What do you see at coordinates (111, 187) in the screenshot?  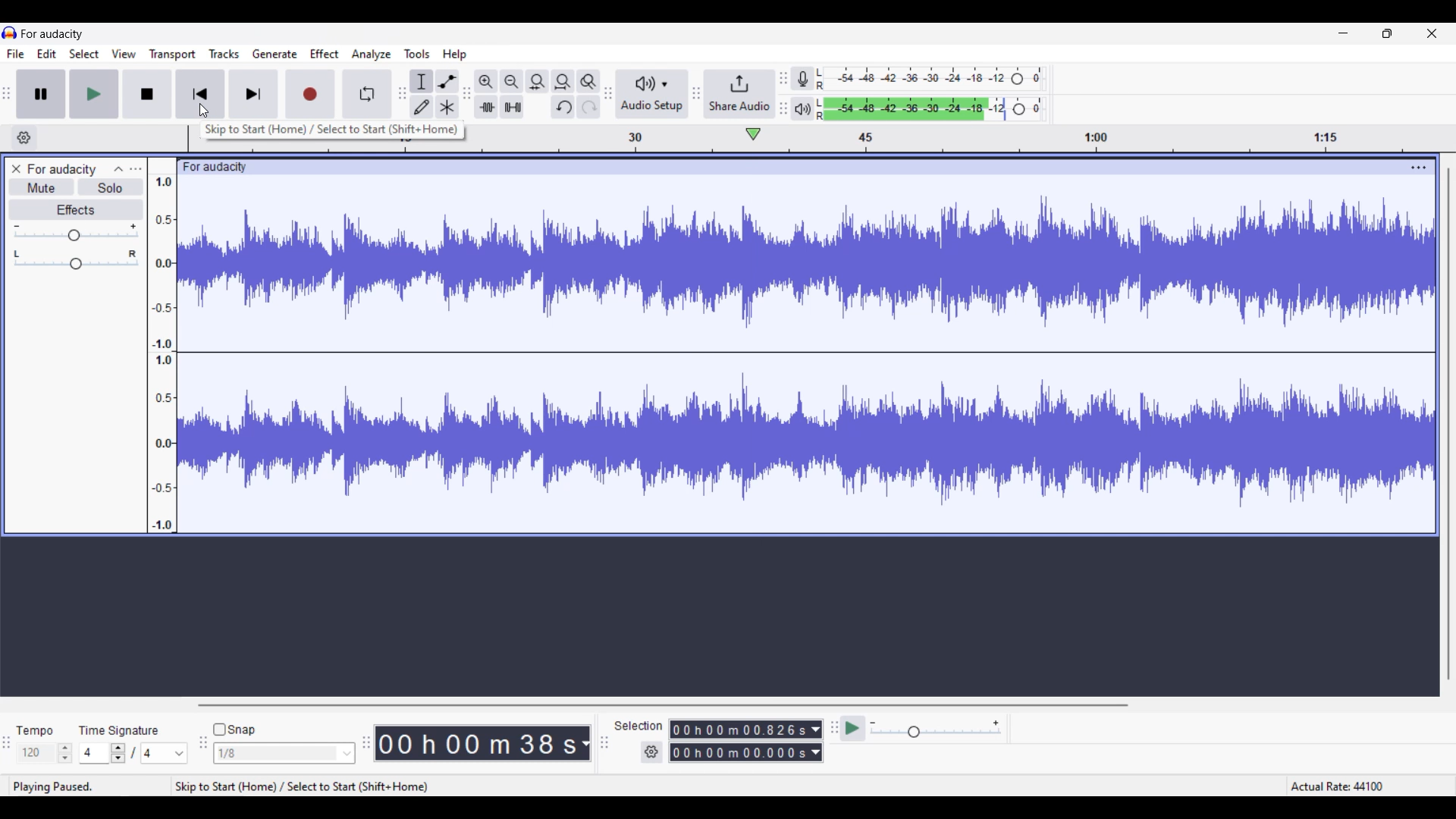 I see `Solo` at bounding box center [111, 187].